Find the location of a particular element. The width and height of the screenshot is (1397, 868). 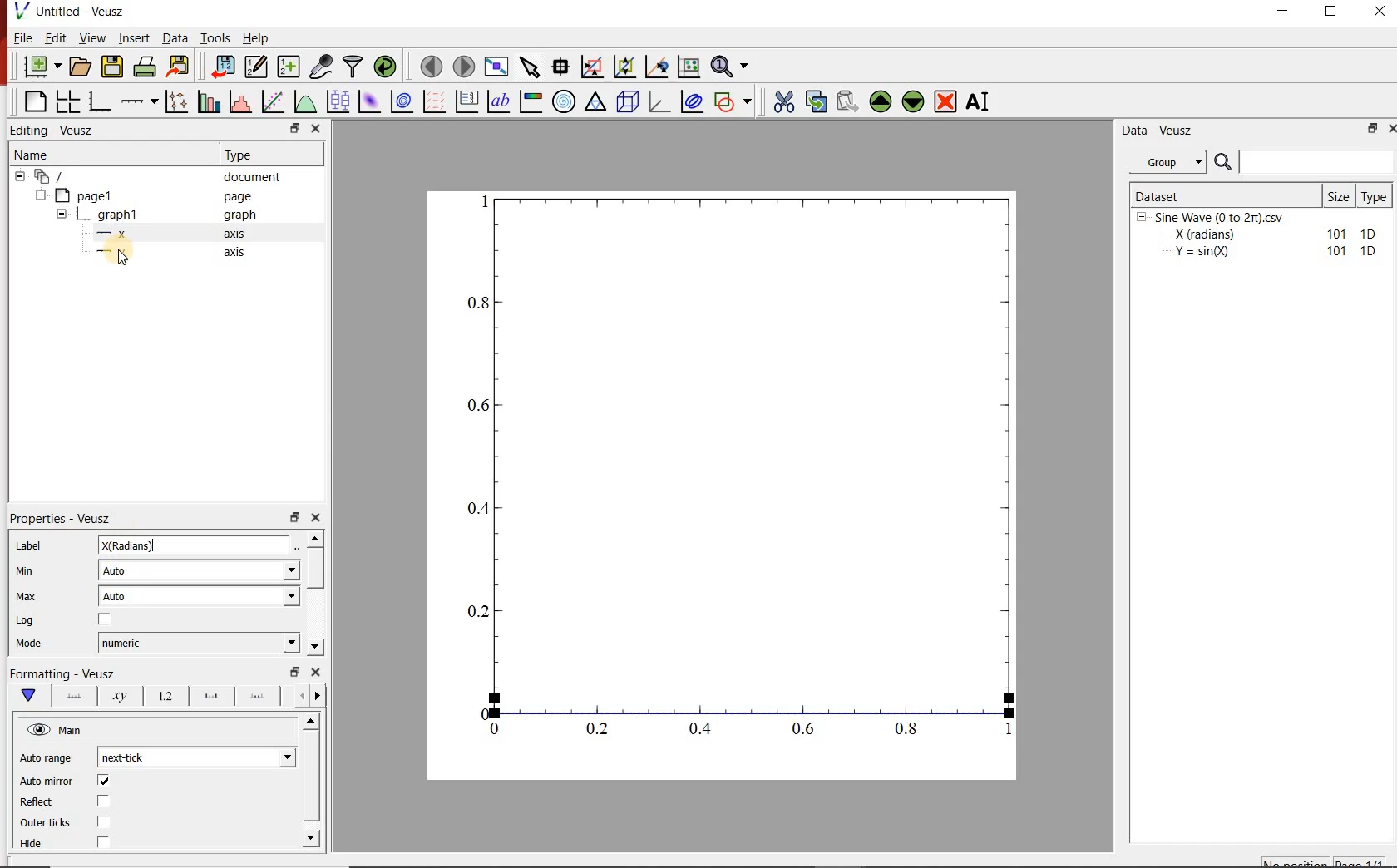

import data into veusz is located at coordinates (221, 66).